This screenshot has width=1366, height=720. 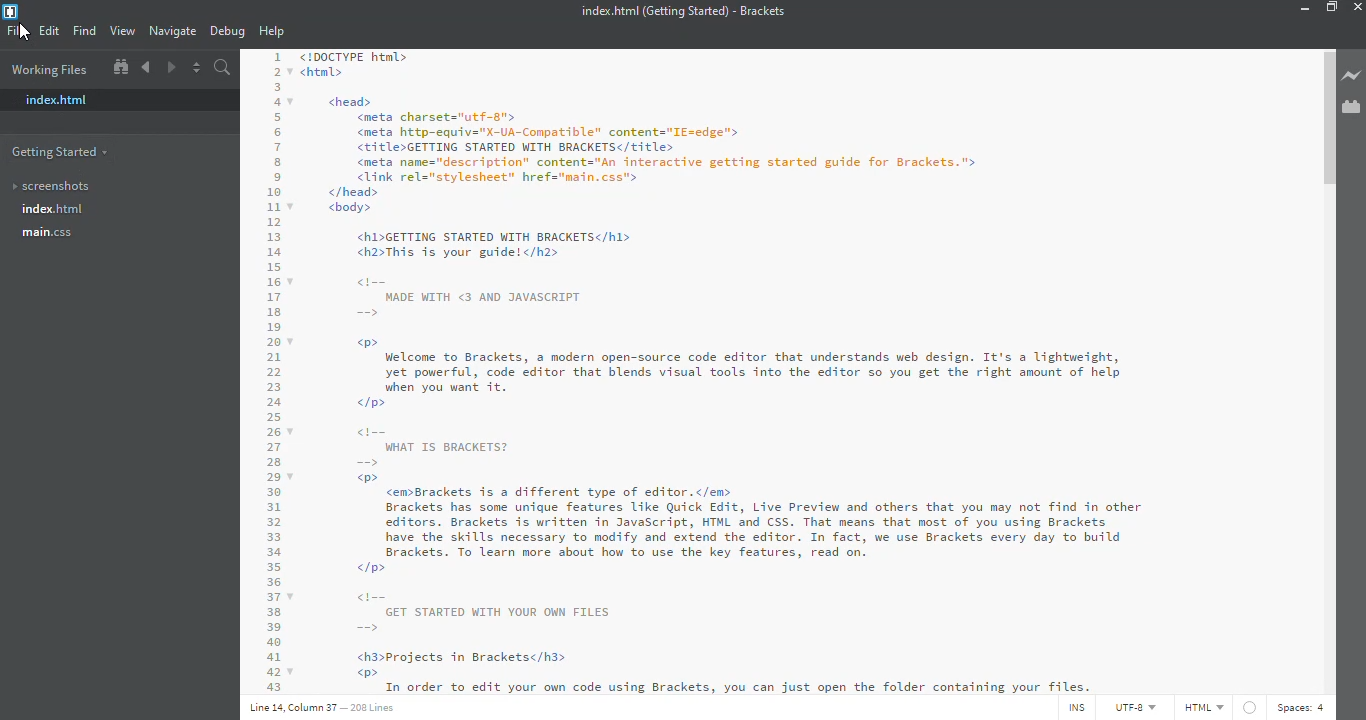 What do you see at coordinates (1333, 8) in the screenshot?
I see `maximize` at bounding box center [1333, 8].